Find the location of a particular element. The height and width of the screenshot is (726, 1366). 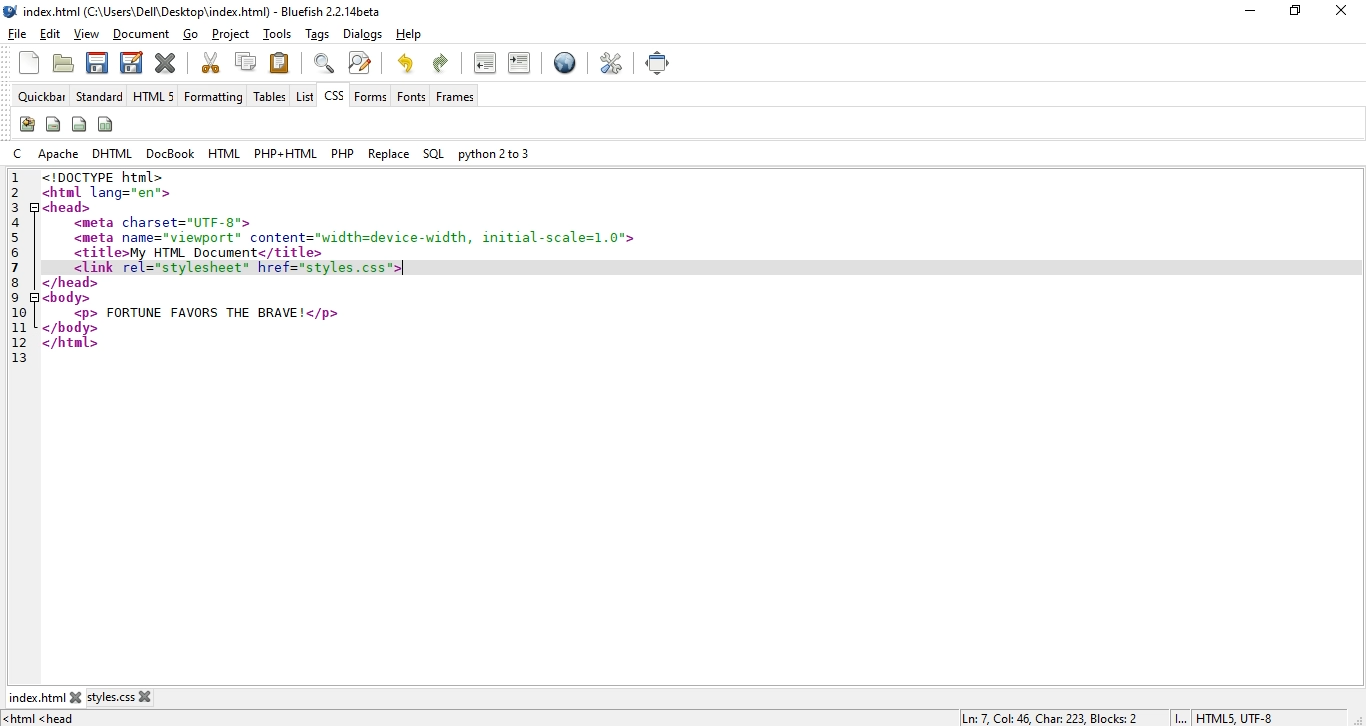

restore window is located at coordinates (1292, 13).